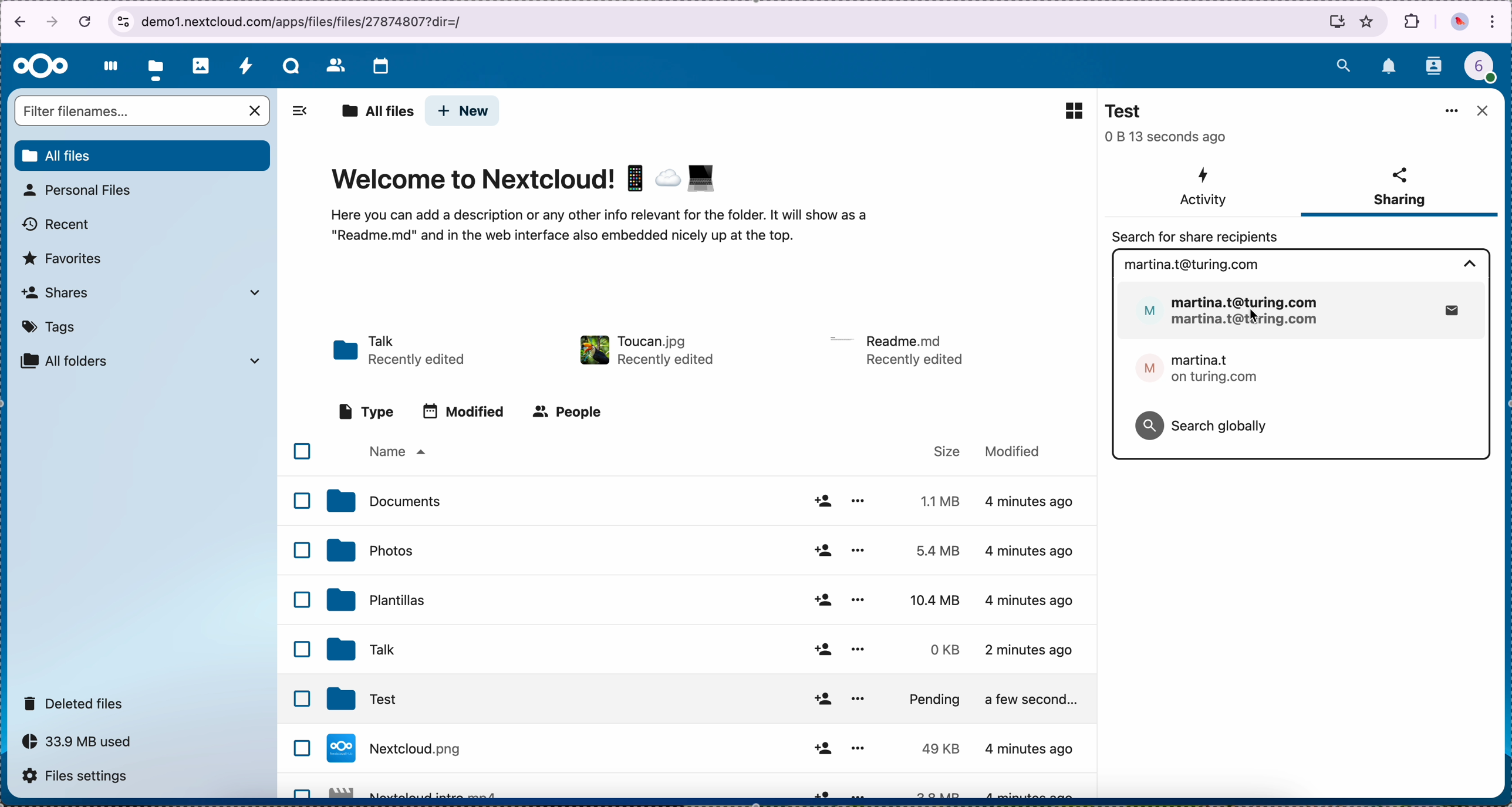  What do you see at coordinates (948, 450) in the screenshot?
I see `size` at bounding box center [948, 450].